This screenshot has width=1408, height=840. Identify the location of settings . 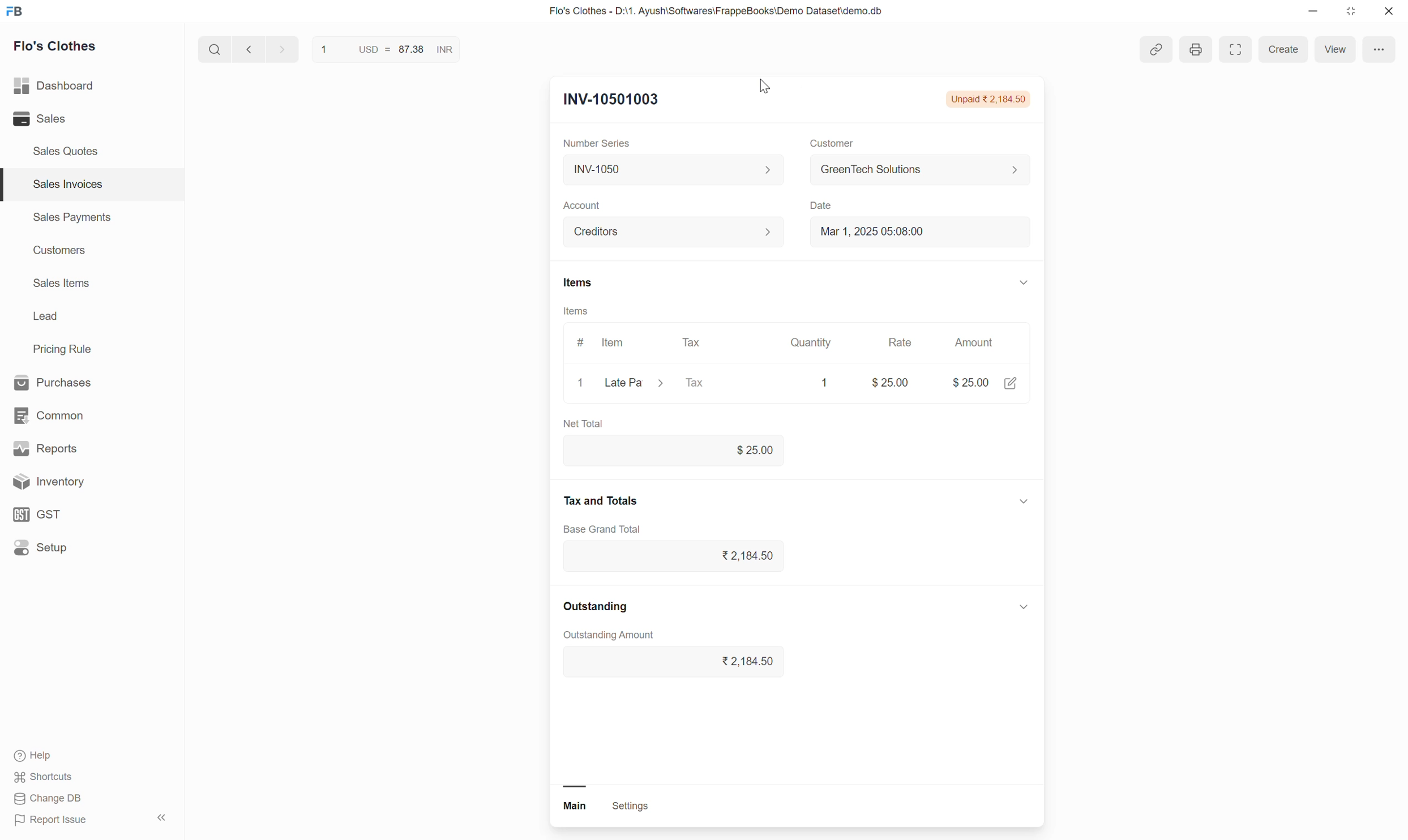
(647, 807).